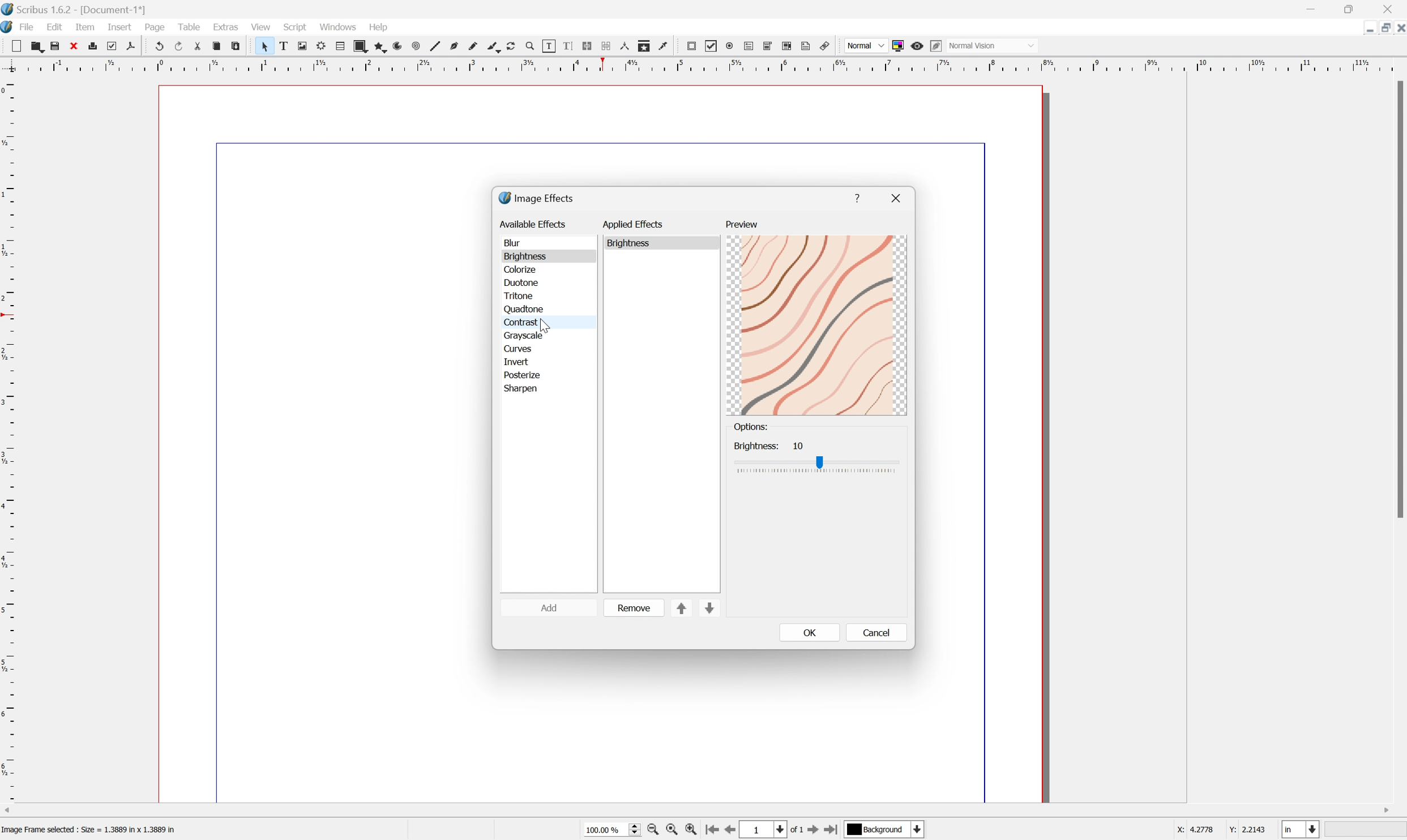 Image resolution: width=1407 pixels, height=840 pixels. What do you see at coordinates (1368, 31) in the screenshot?
I see `Restore Down` at bounding box center [1368, 31].